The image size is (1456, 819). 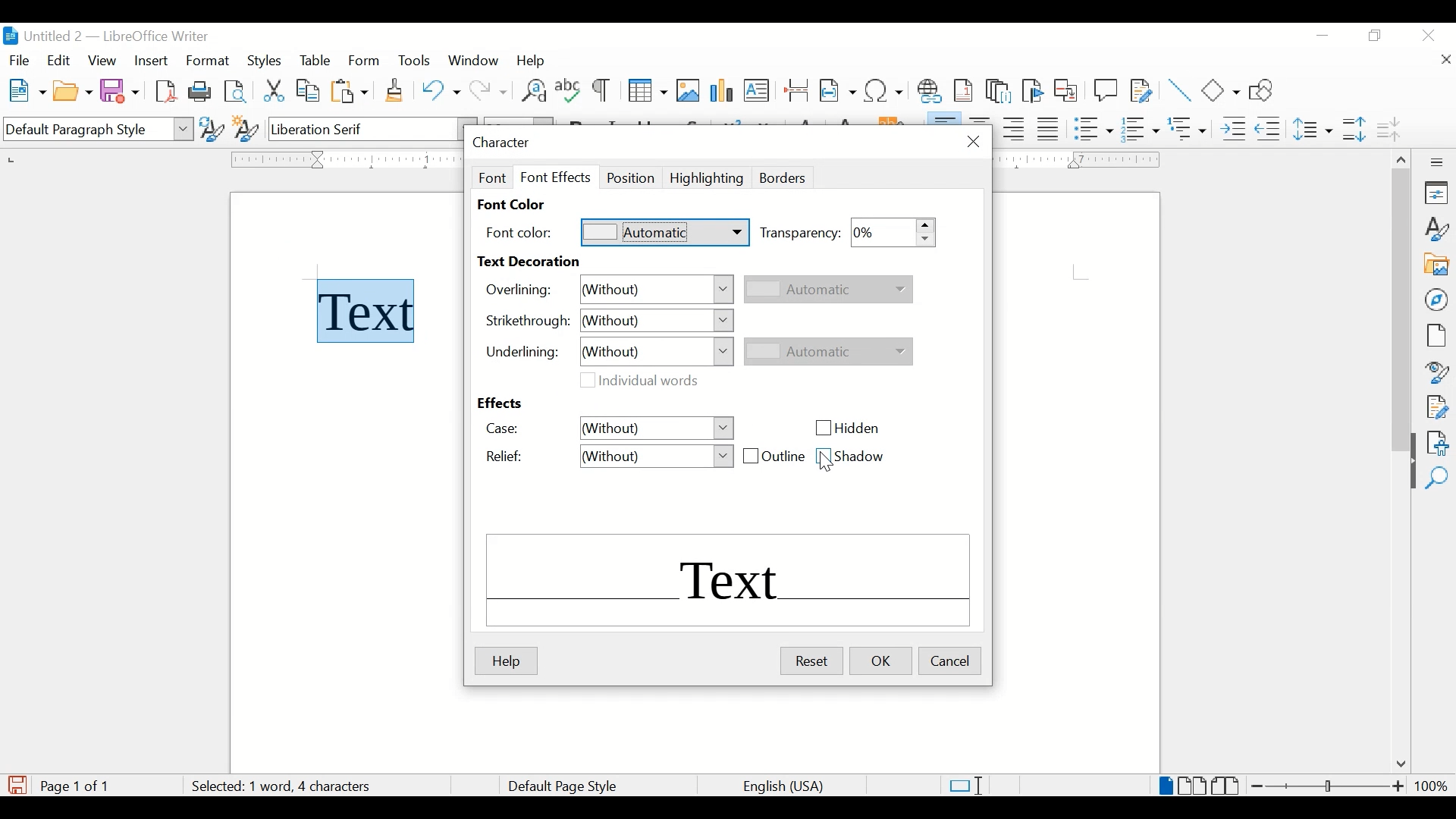 What do you see at coordinates (246, 126) in the screenshot?
I see `new style from selection` at bounding box center [246, 126].